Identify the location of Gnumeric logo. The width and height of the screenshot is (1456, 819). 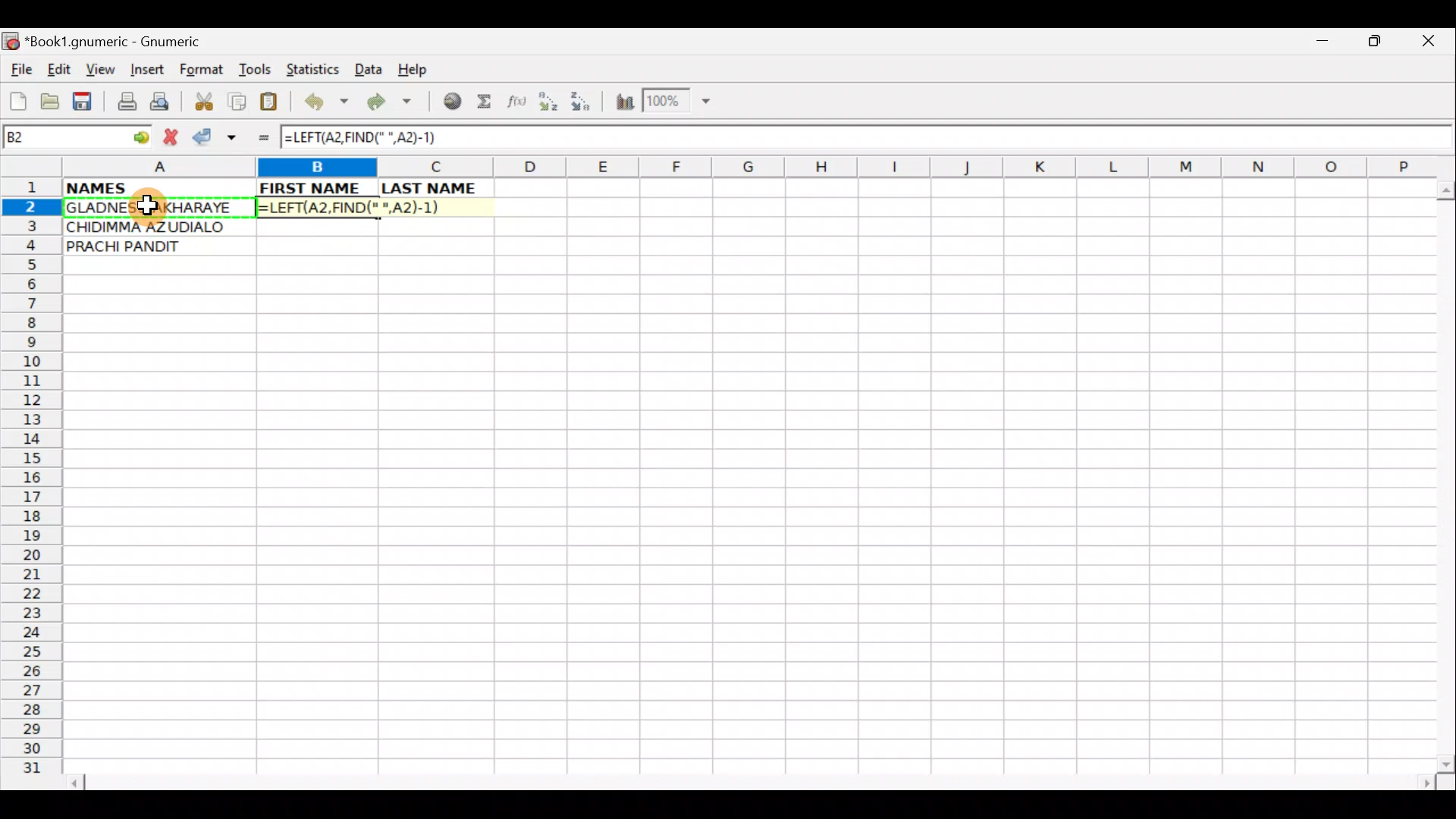
(11, 42).